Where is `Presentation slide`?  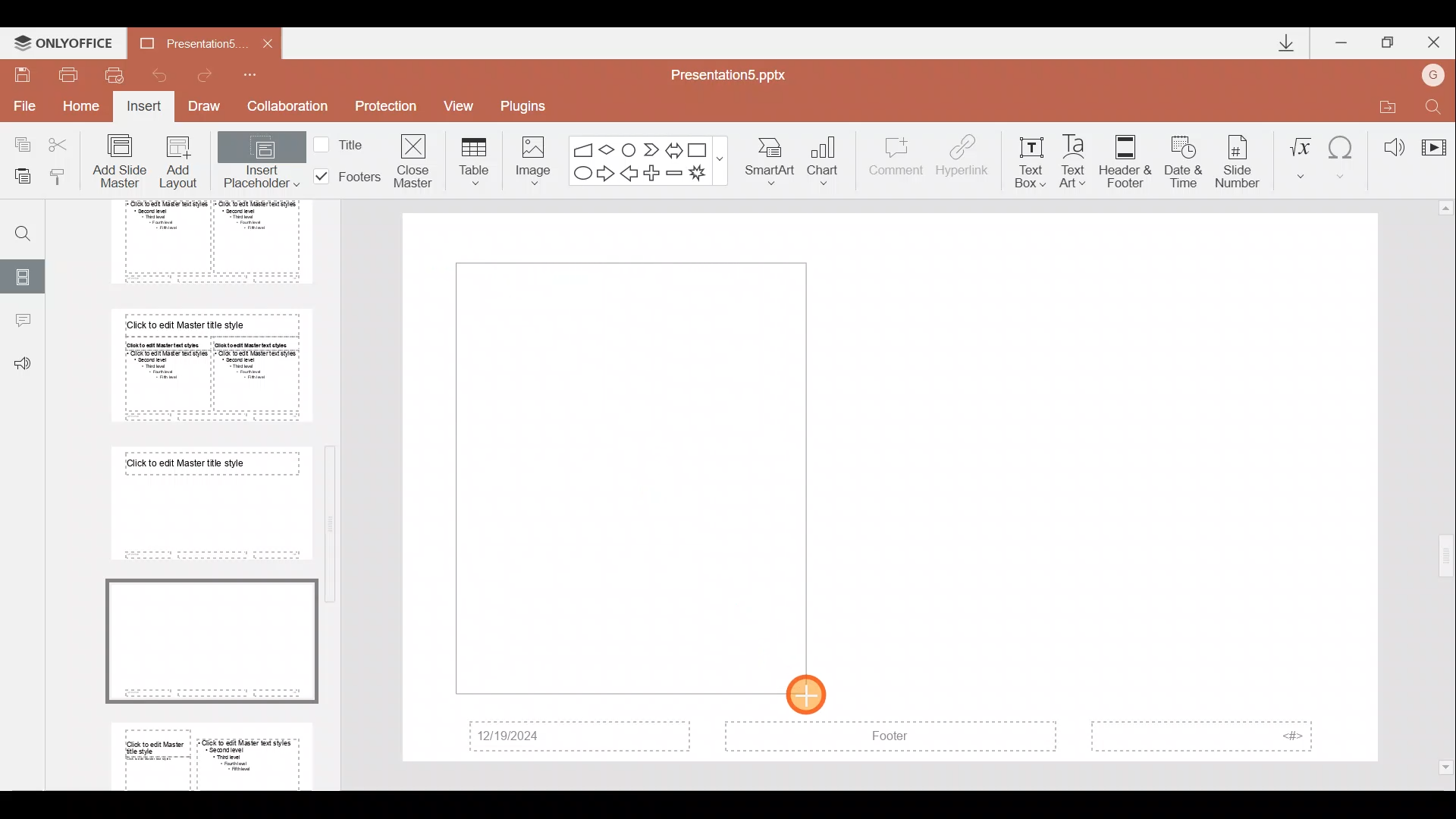 Presentation slide is located at coordinates (1134, 488).